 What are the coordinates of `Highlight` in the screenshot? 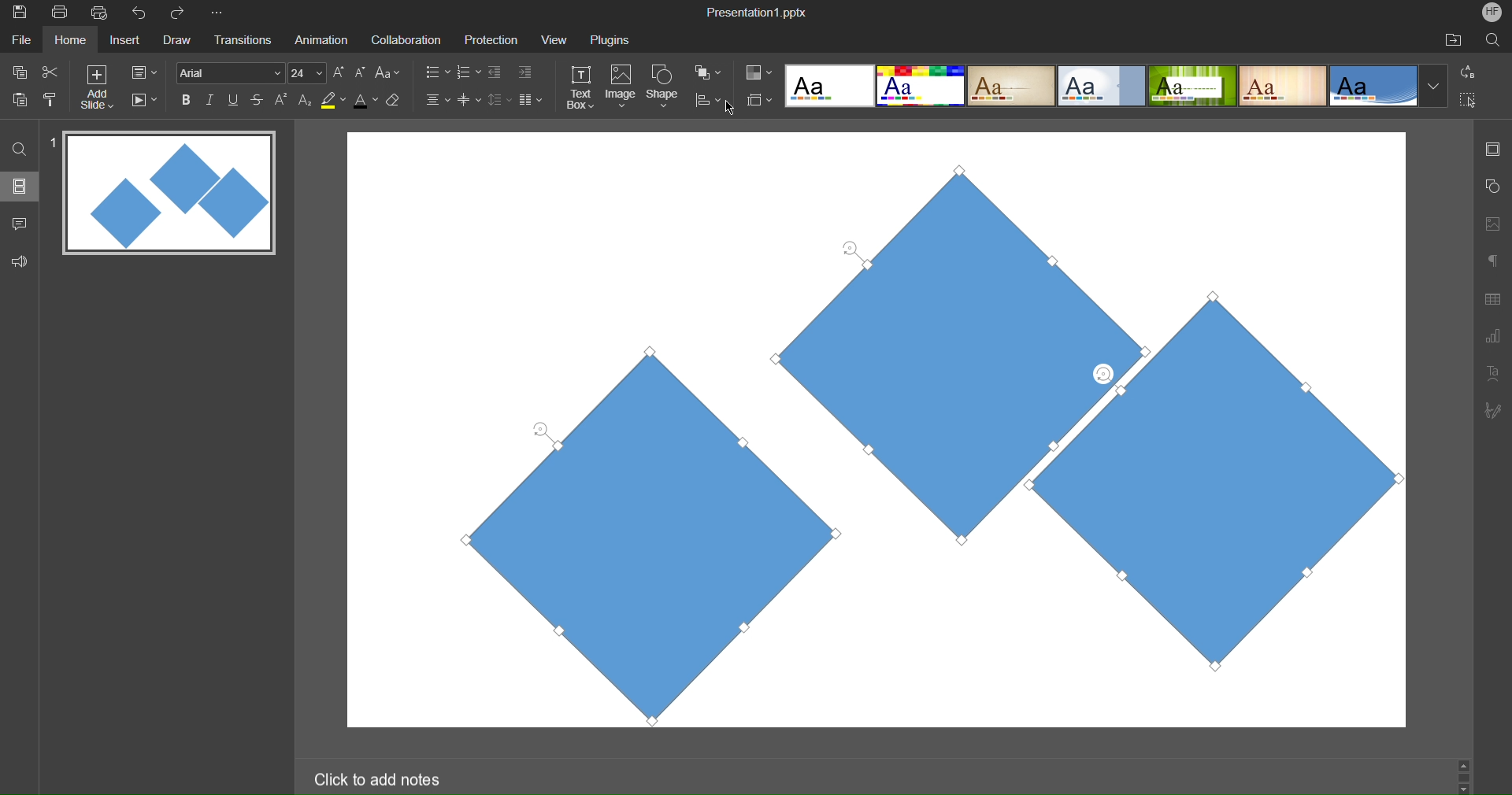 It's located at (334, 100).